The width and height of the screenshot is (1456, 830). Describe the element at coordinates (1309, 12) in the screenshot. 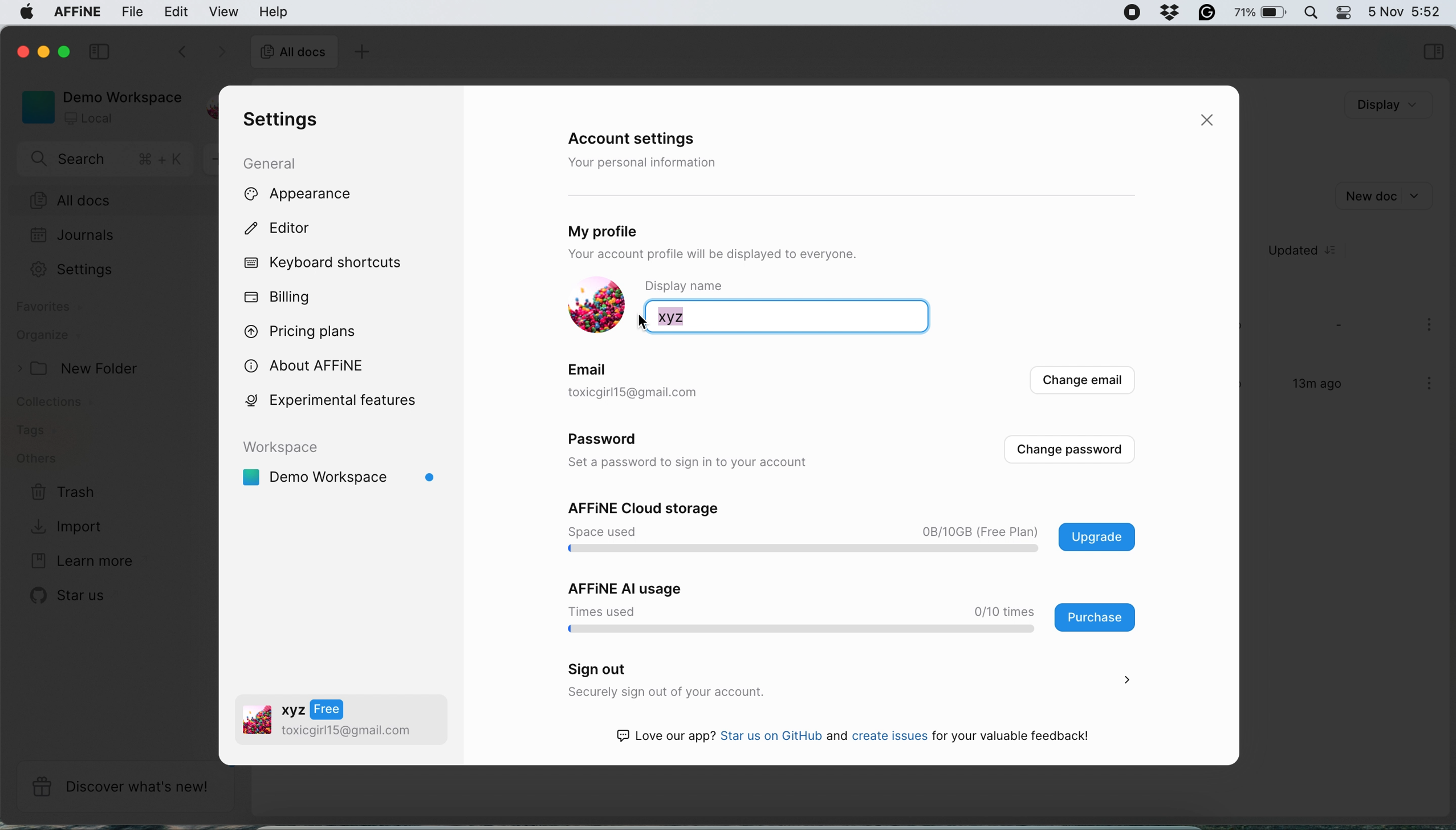

I see `spotlight search` at that location.